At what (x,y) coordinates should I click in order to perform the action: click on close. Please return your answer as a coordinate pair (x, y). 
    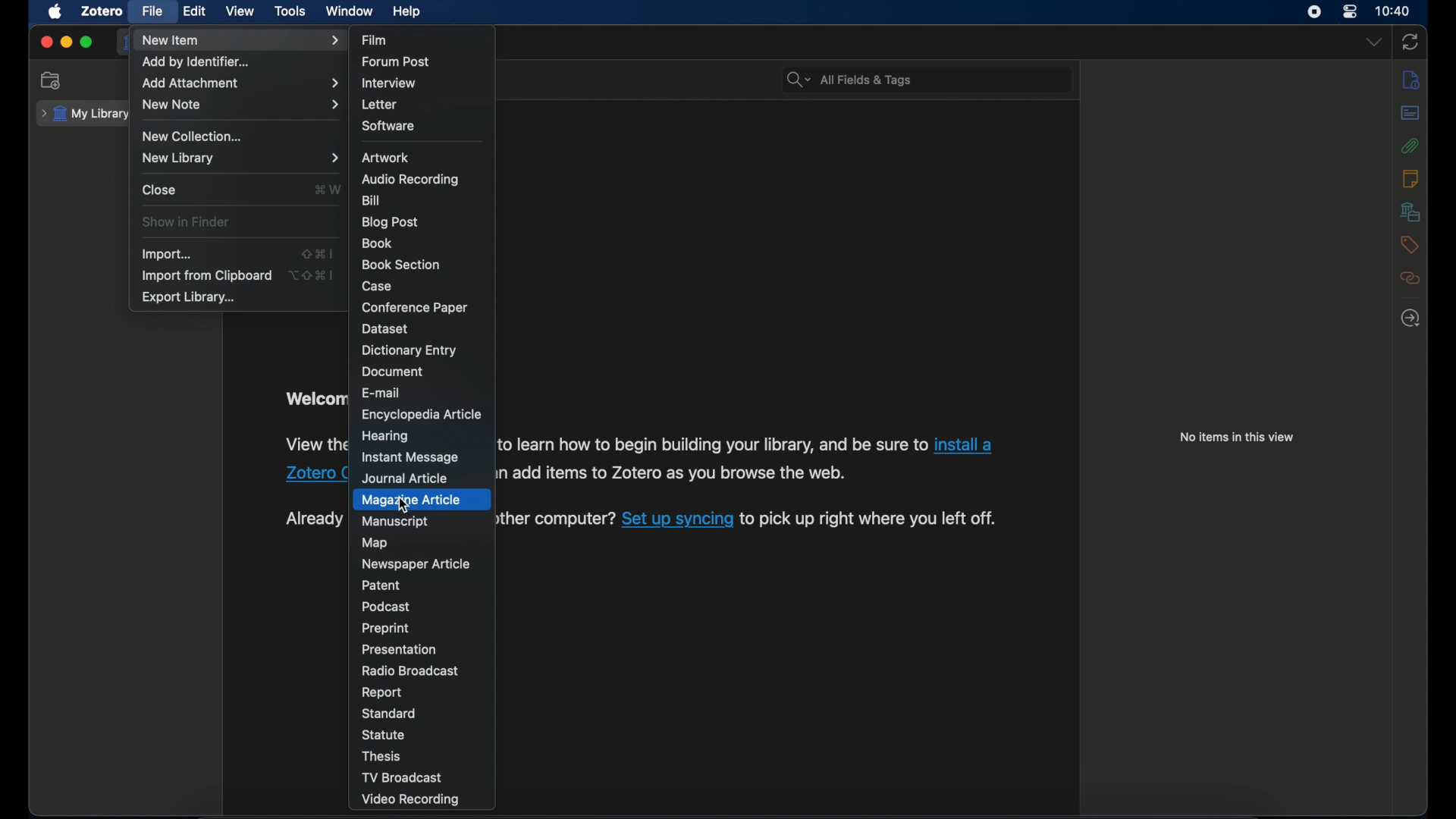
    Looking at the image, I should click on (159, 190).